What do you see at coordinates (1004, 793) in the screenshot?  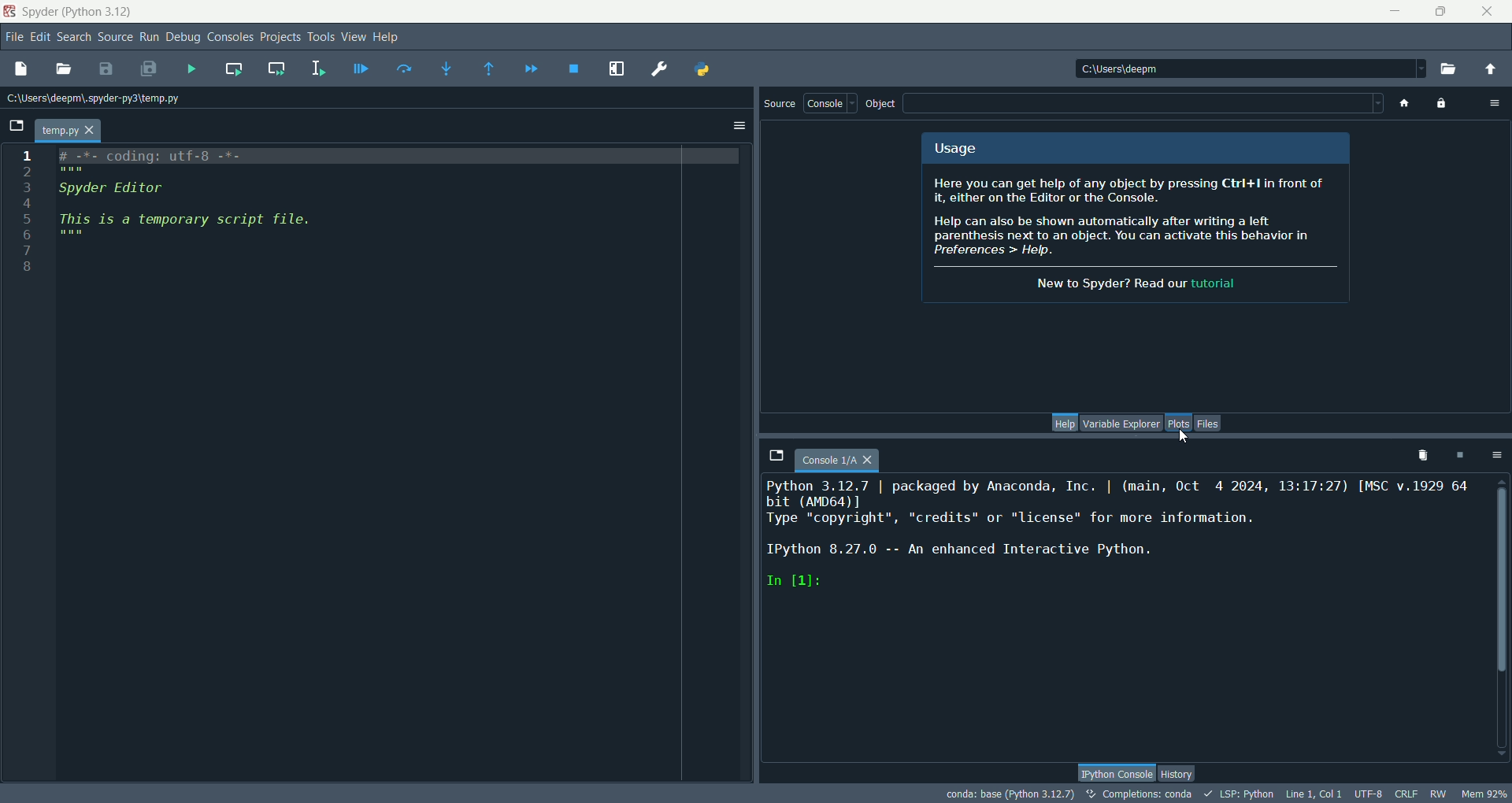 I see `conda:base` at bounding box center [1004, 793].